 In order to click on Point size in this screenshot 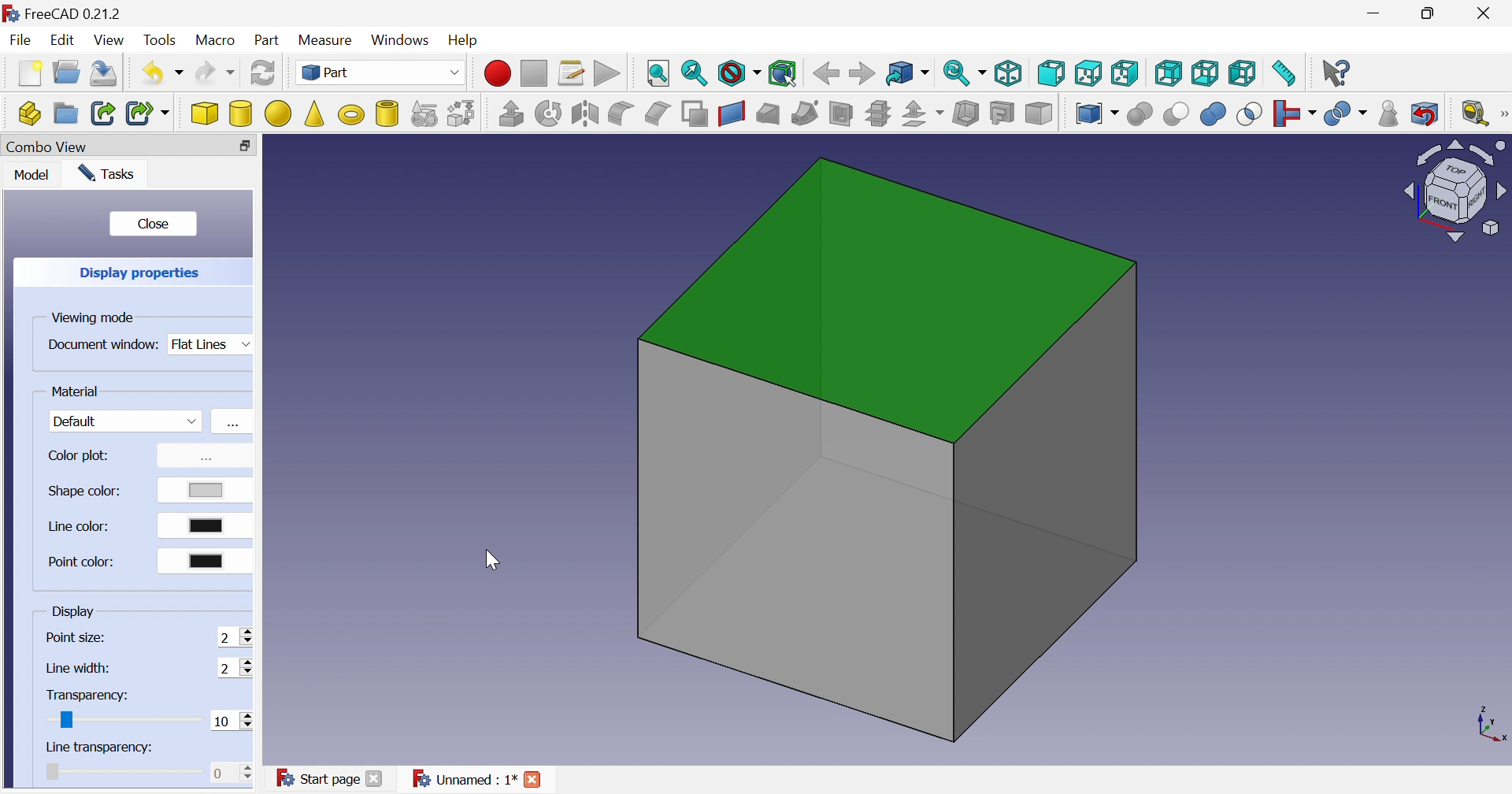, I will do `click(76, 638)`.